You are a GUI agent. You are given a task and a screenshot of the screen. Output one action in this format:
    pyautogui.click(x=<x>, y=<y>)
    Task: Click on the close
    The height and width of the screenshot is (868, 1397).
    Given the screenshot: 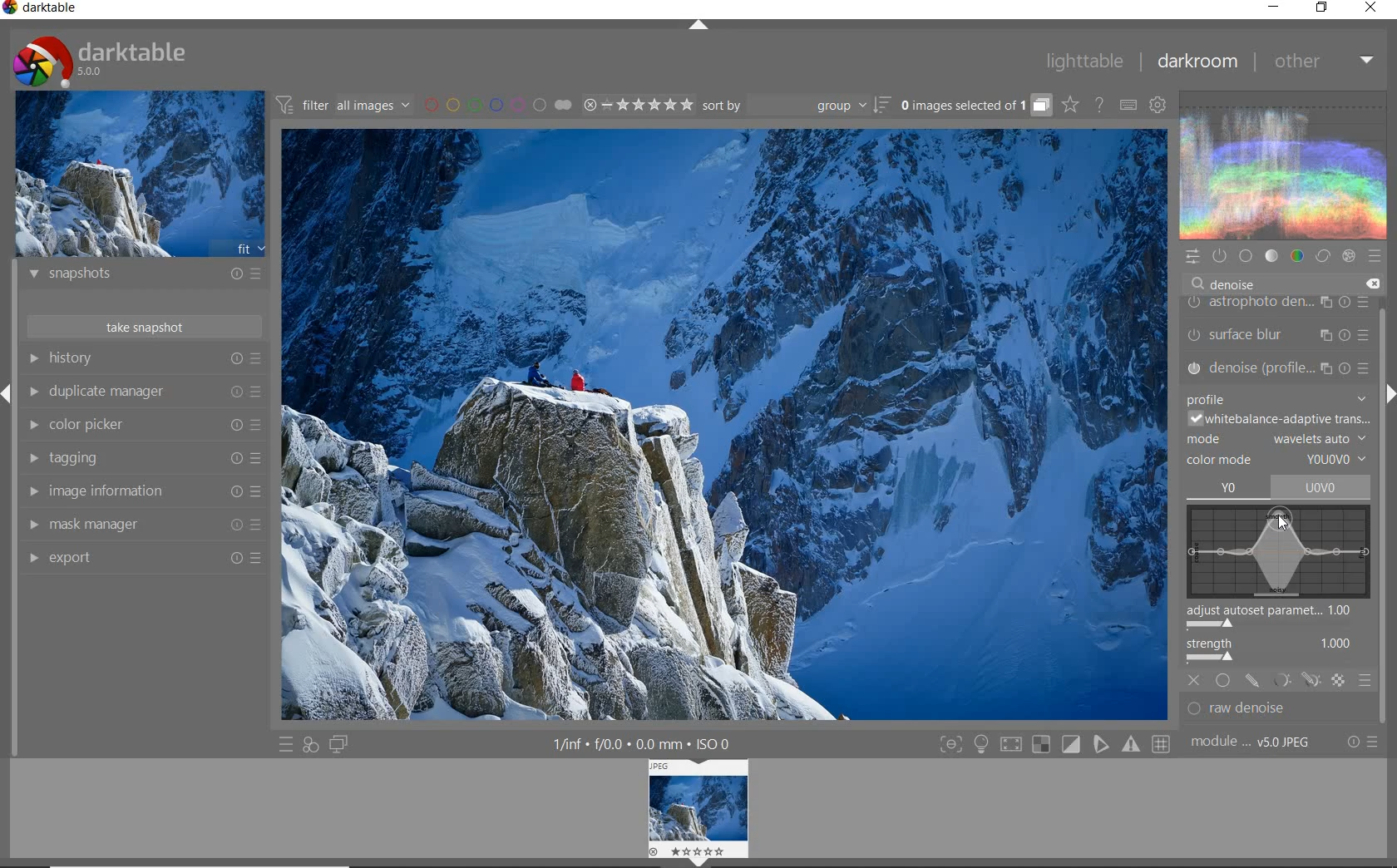 What is the action you would take?
    pyautogui.click(x=1371, y=8)
    